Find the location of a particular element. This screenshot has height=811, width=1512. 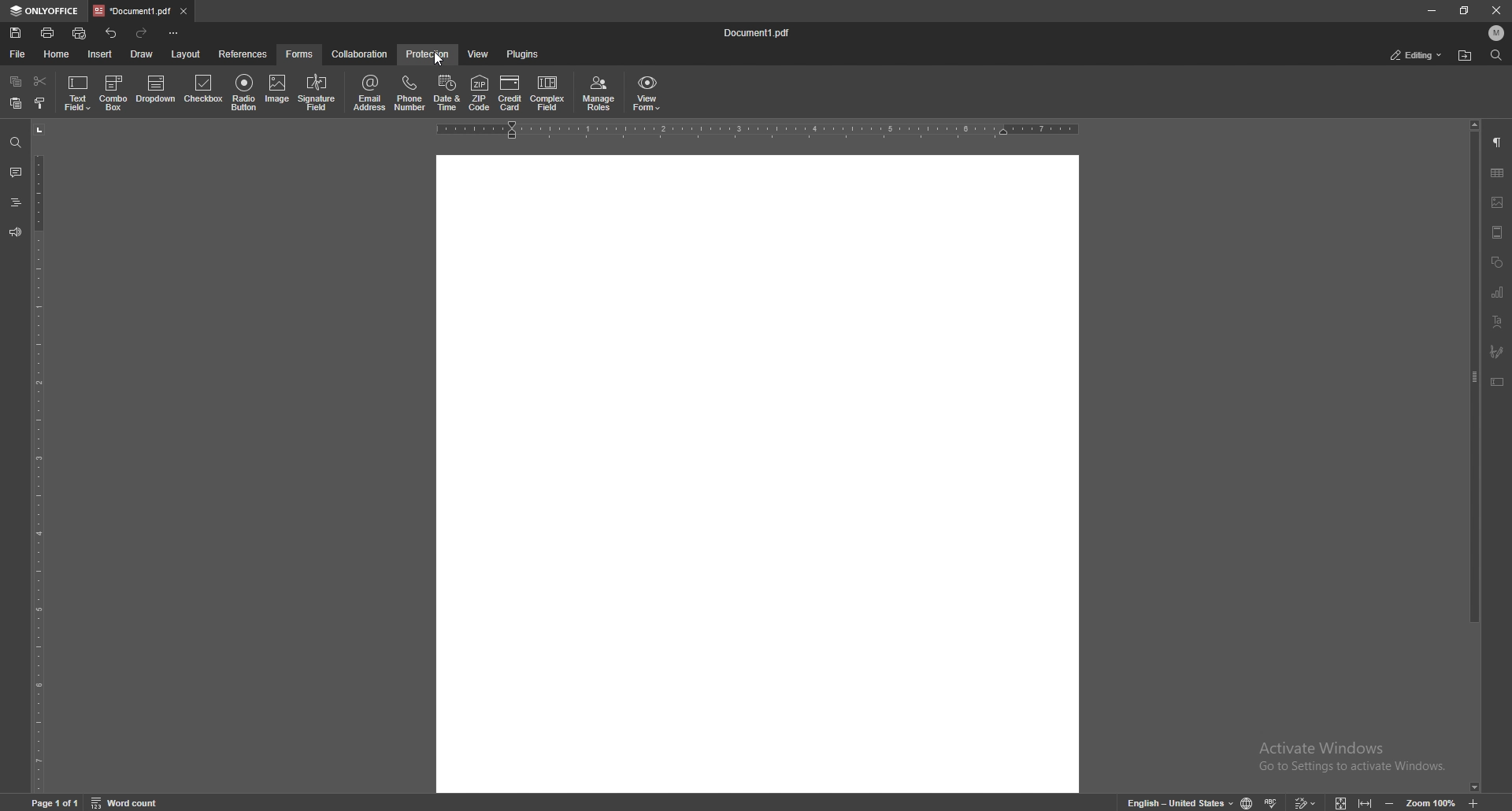

cursor is located at coordinates (443, 62).